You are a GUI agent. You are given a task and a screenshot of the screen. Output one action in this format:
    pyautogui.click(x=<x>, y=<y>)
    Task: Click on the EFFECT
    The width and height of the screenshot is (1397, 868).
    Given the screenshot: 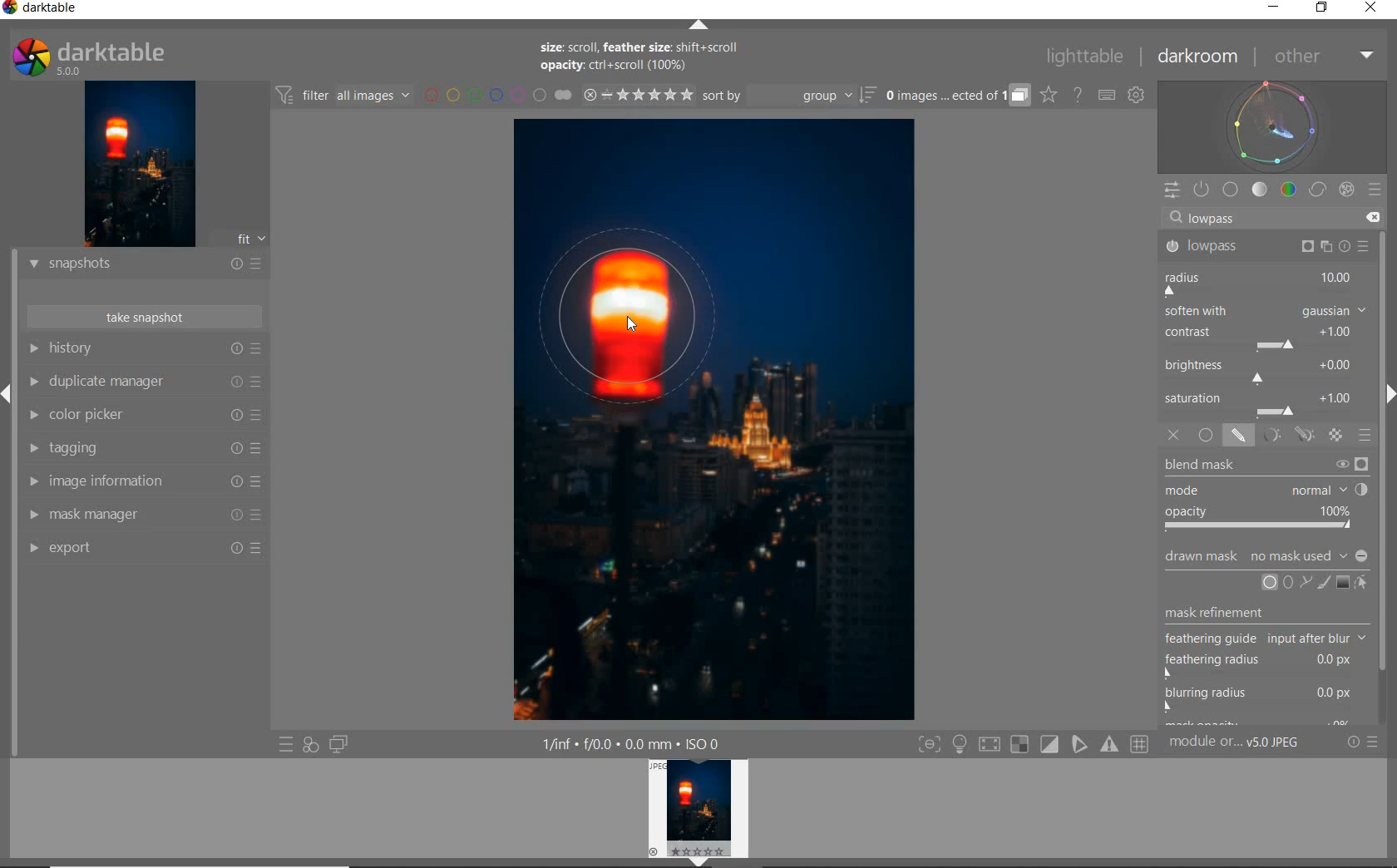 What is the action you would take?
    pyautogui.click(x=1346, y=189)
    